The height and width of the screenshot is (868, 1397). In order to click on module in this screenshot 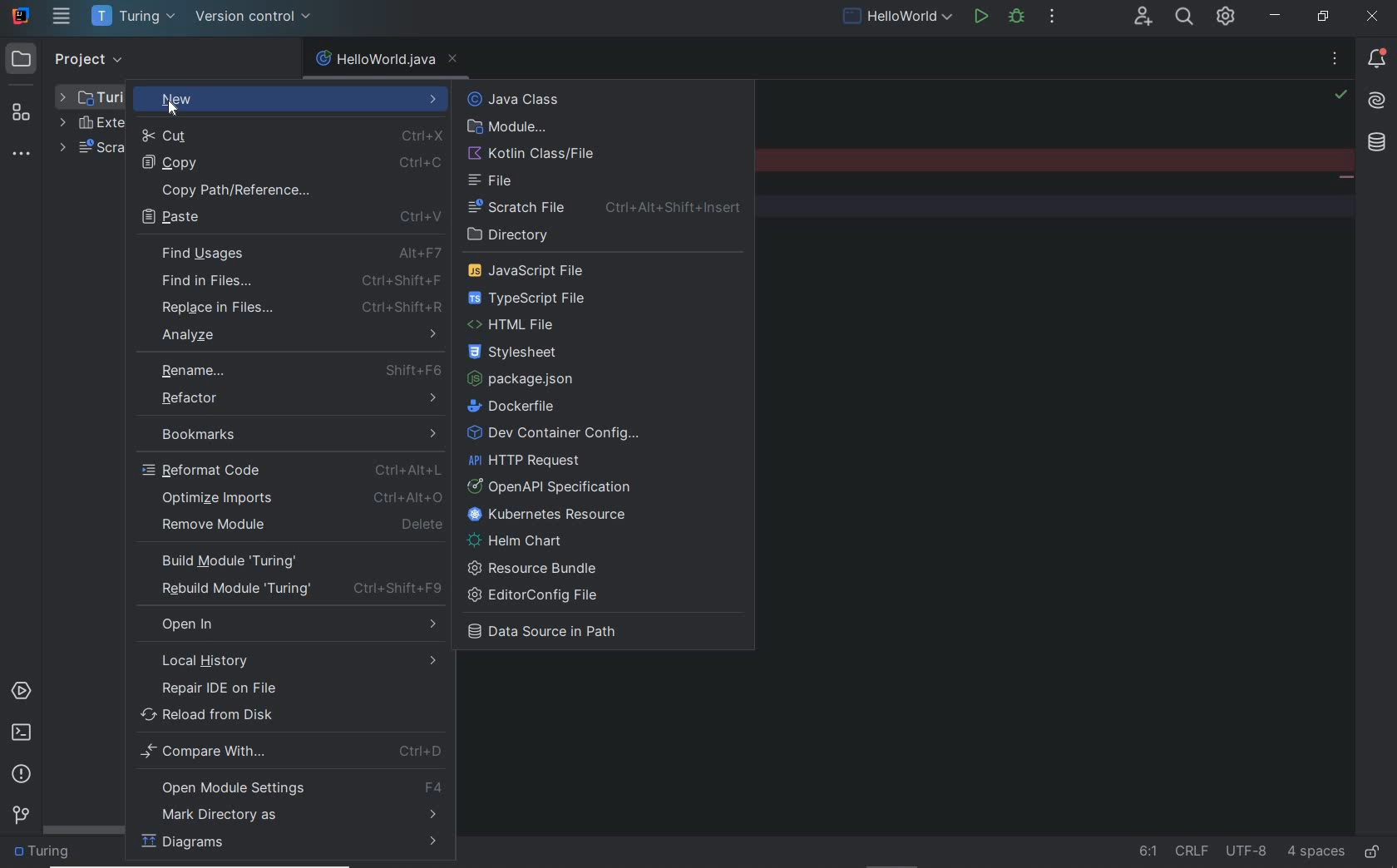, I will do `click(508, 127)`.